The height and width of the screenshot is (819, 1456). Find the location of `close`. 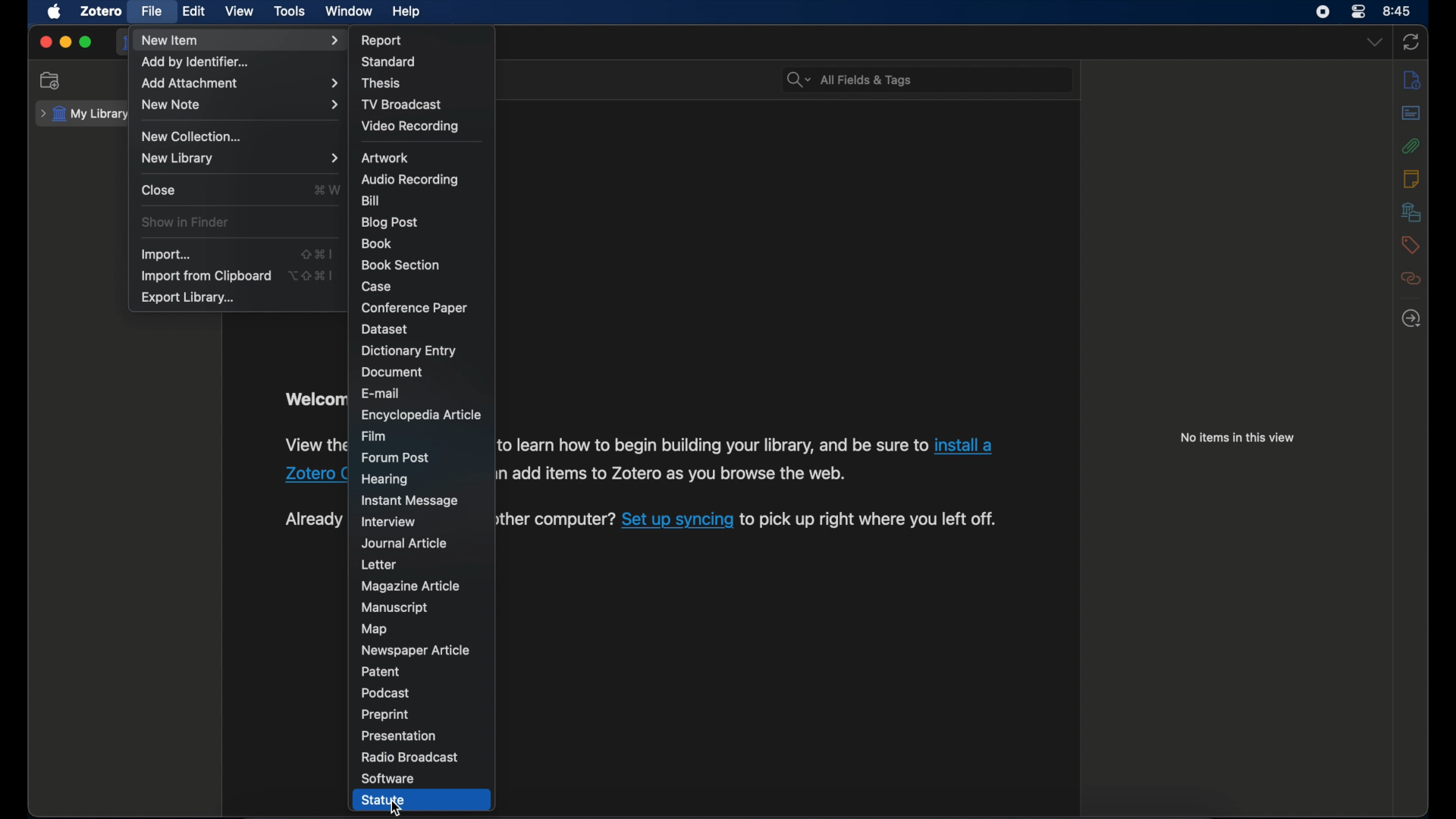

close is located at coordinates (45, 42).